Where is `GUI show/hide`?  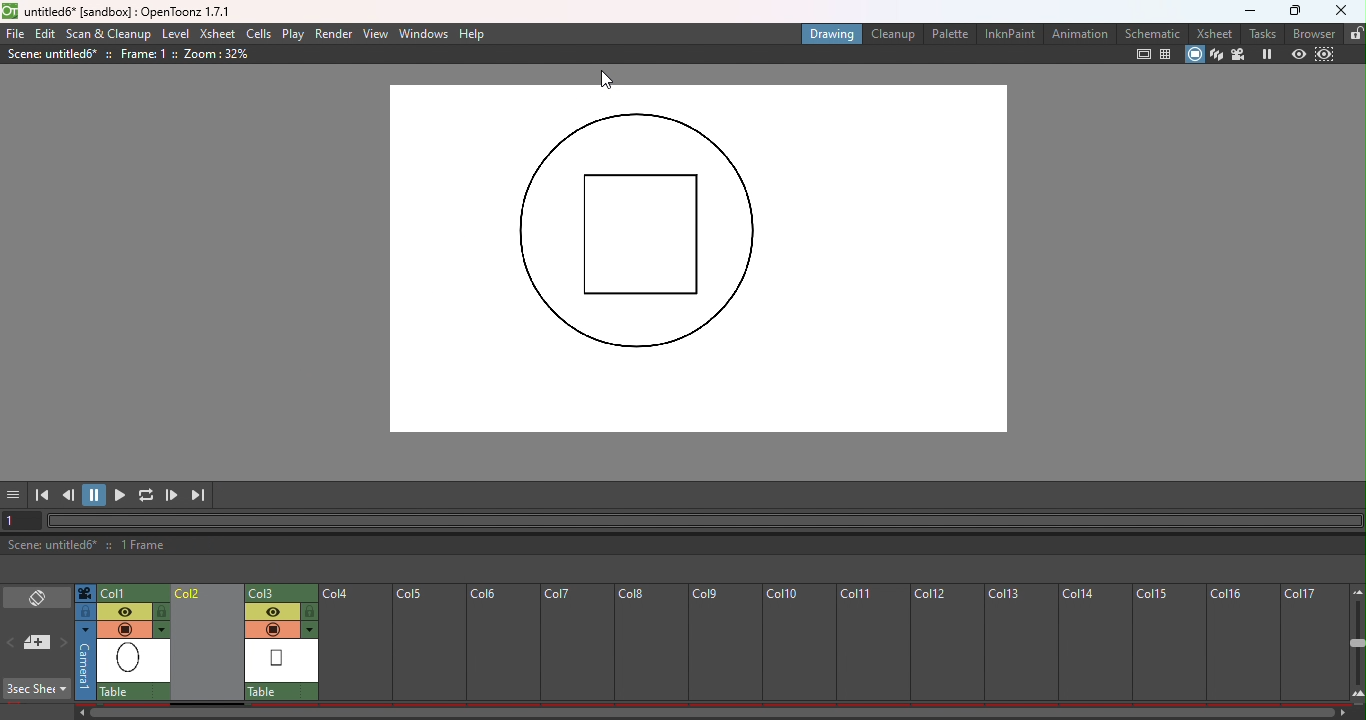 GUI show/hide is located at coordinates (16, 495).